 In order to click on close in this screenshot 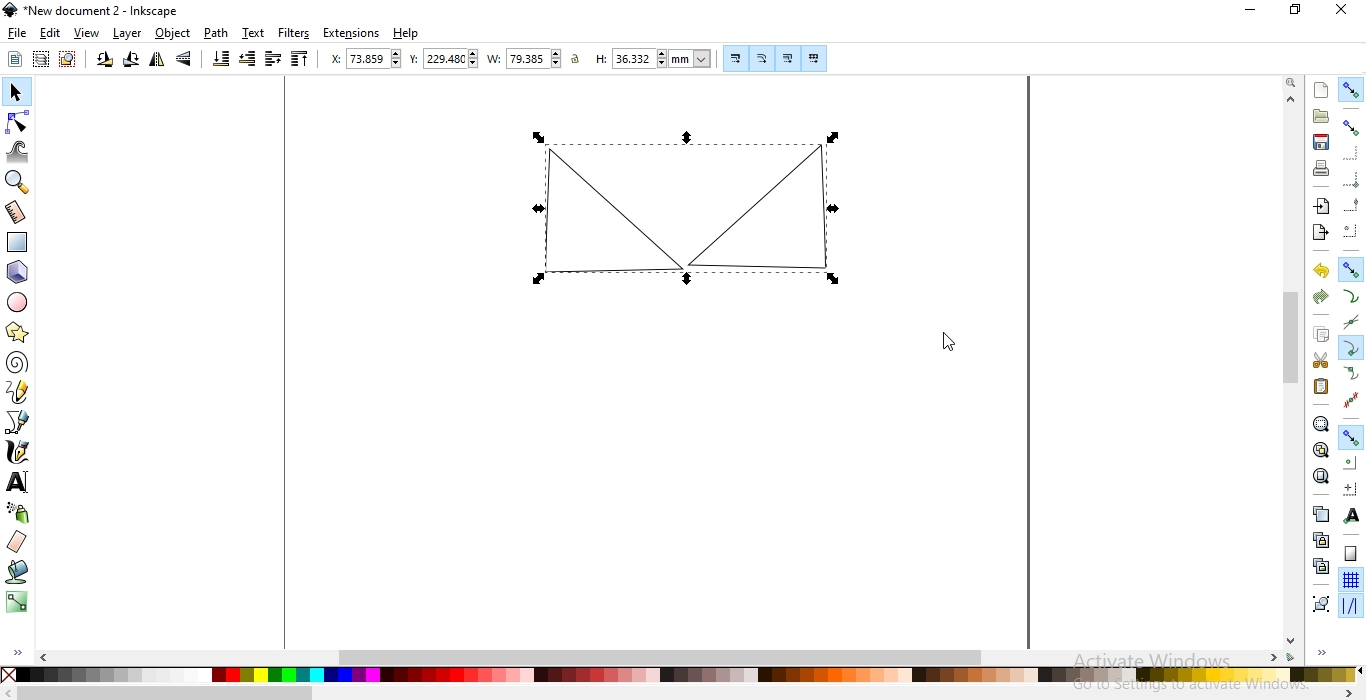, I will do `click(1340, 14)`.